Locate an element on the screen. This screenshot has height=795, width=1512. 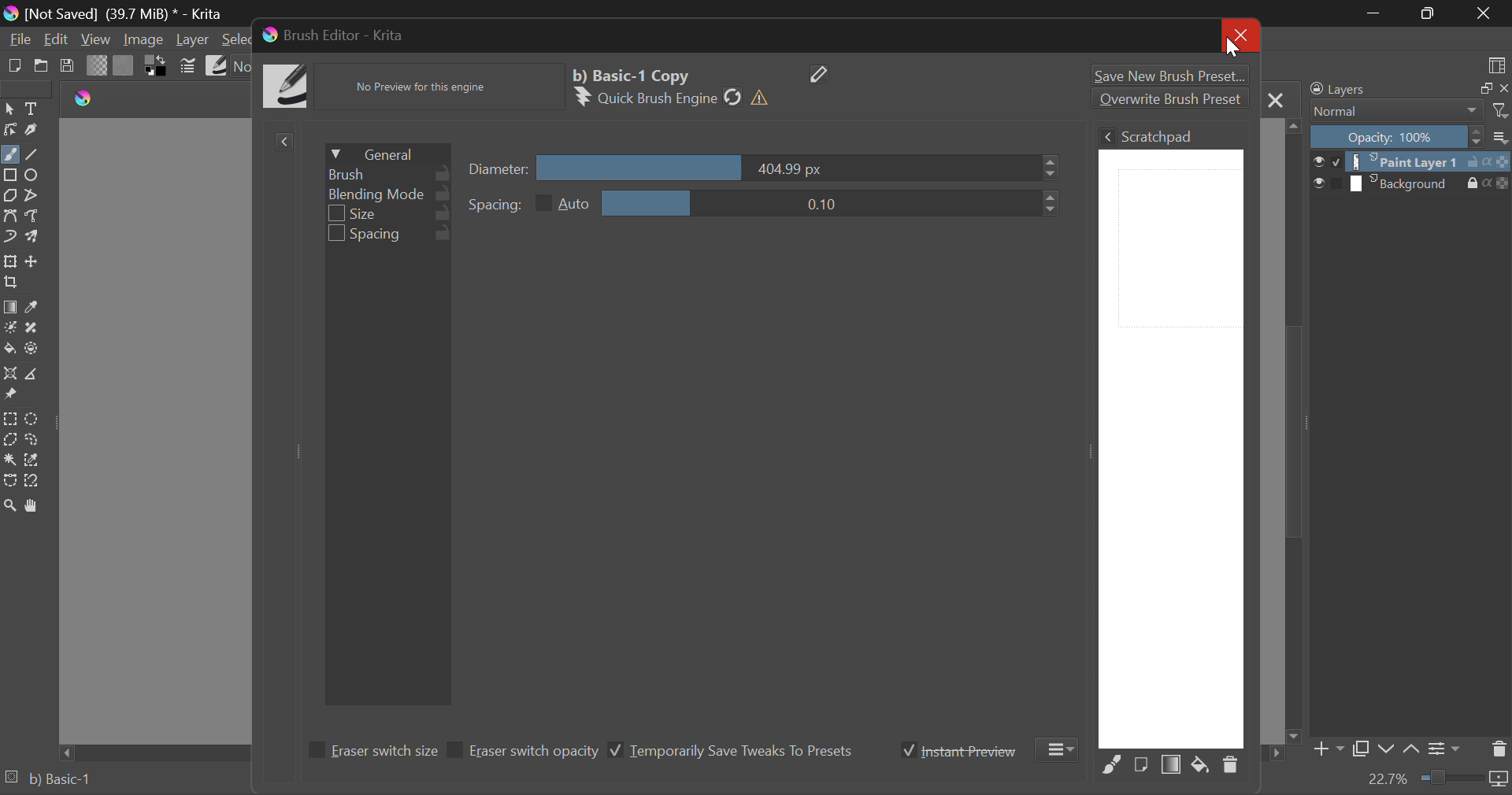
Blending Mode is located at coordinates (1408, 112).